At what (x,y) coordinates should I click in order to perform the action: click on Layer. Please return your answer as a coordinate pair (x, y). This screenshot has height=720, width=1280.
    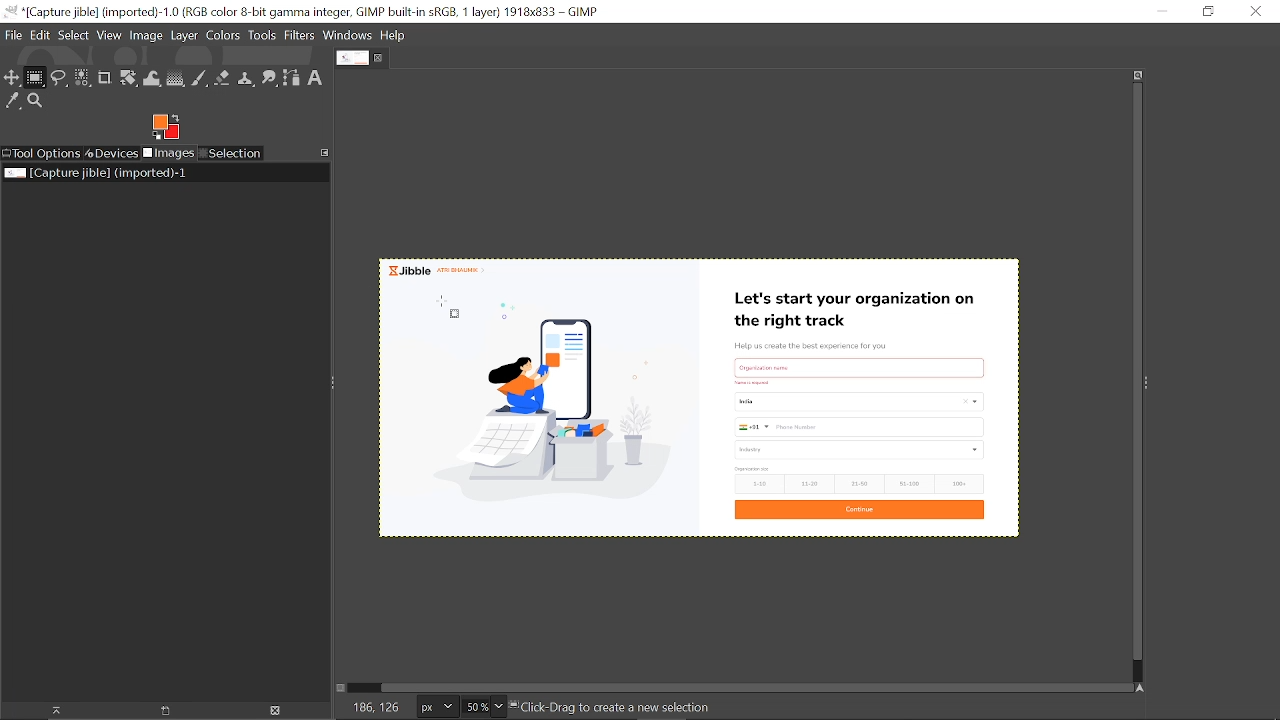
    Looking at the image, I should click on (185, 36).